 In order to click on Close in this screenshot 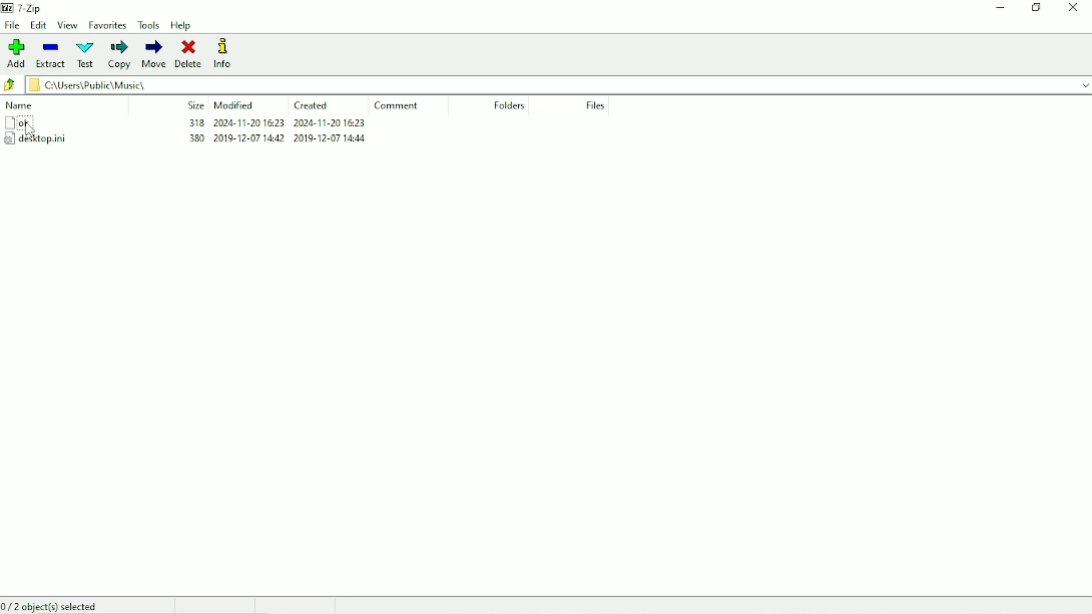, I will do `click(1074, 9)`.